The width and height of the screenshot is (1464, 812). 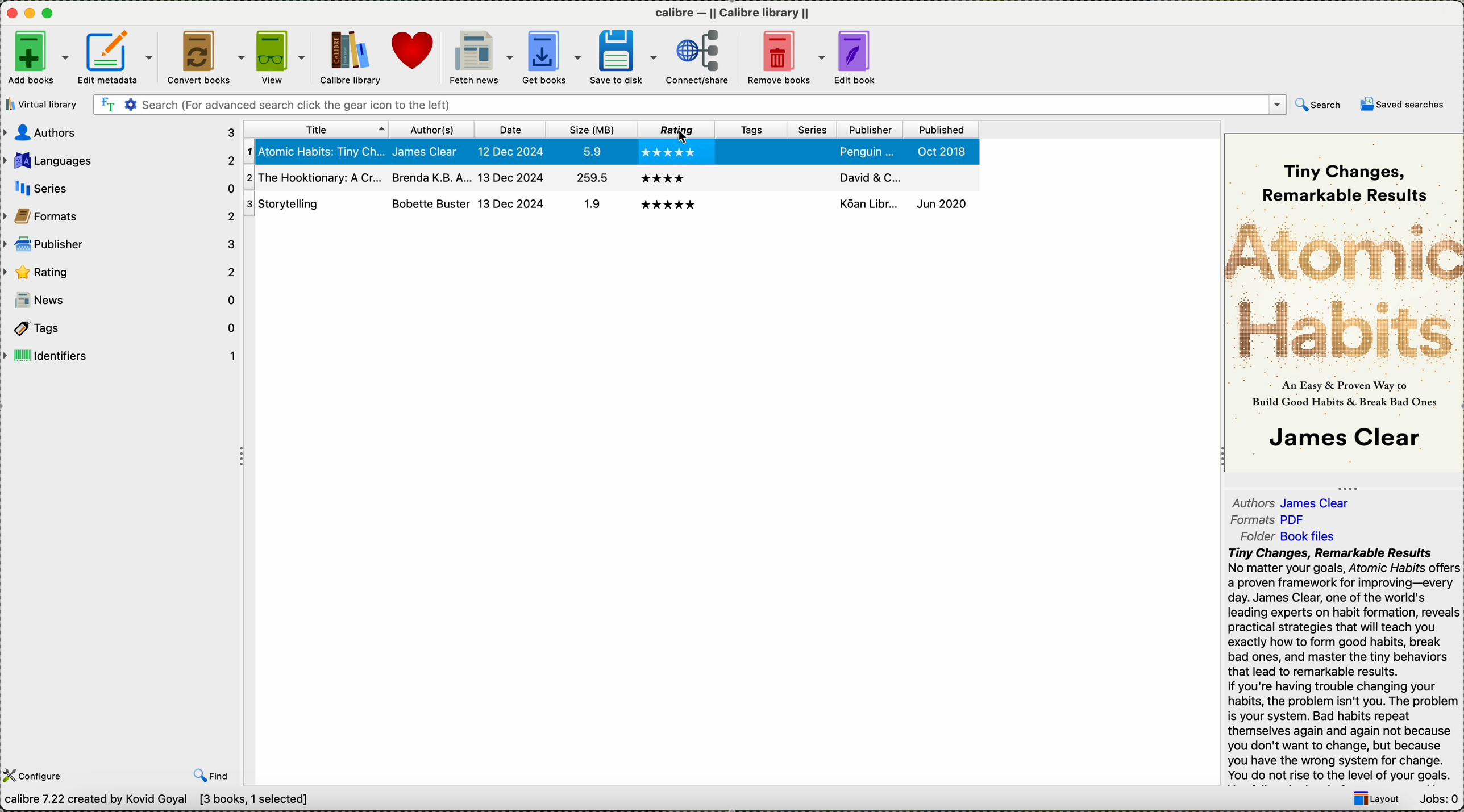 What do you see at coordinates (430, 151) in the screenshot?
I see `James Clear` at bounding box center [430, 151].